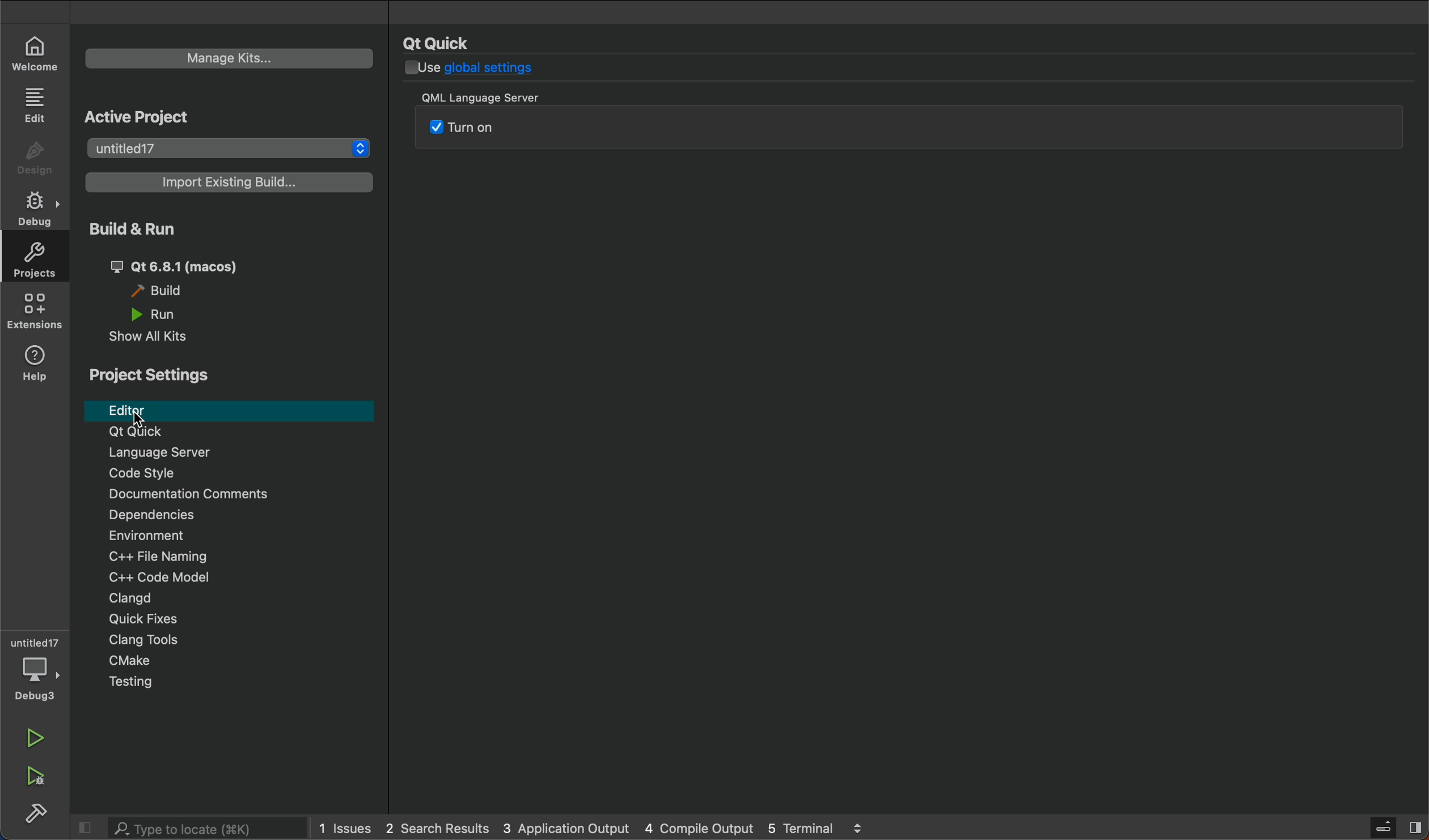 This screenshot has height=840, width=1429. What do you see at coordinates (223, 536) in the screenshot?
I see `Environment ` at bounding box center [223, 536].